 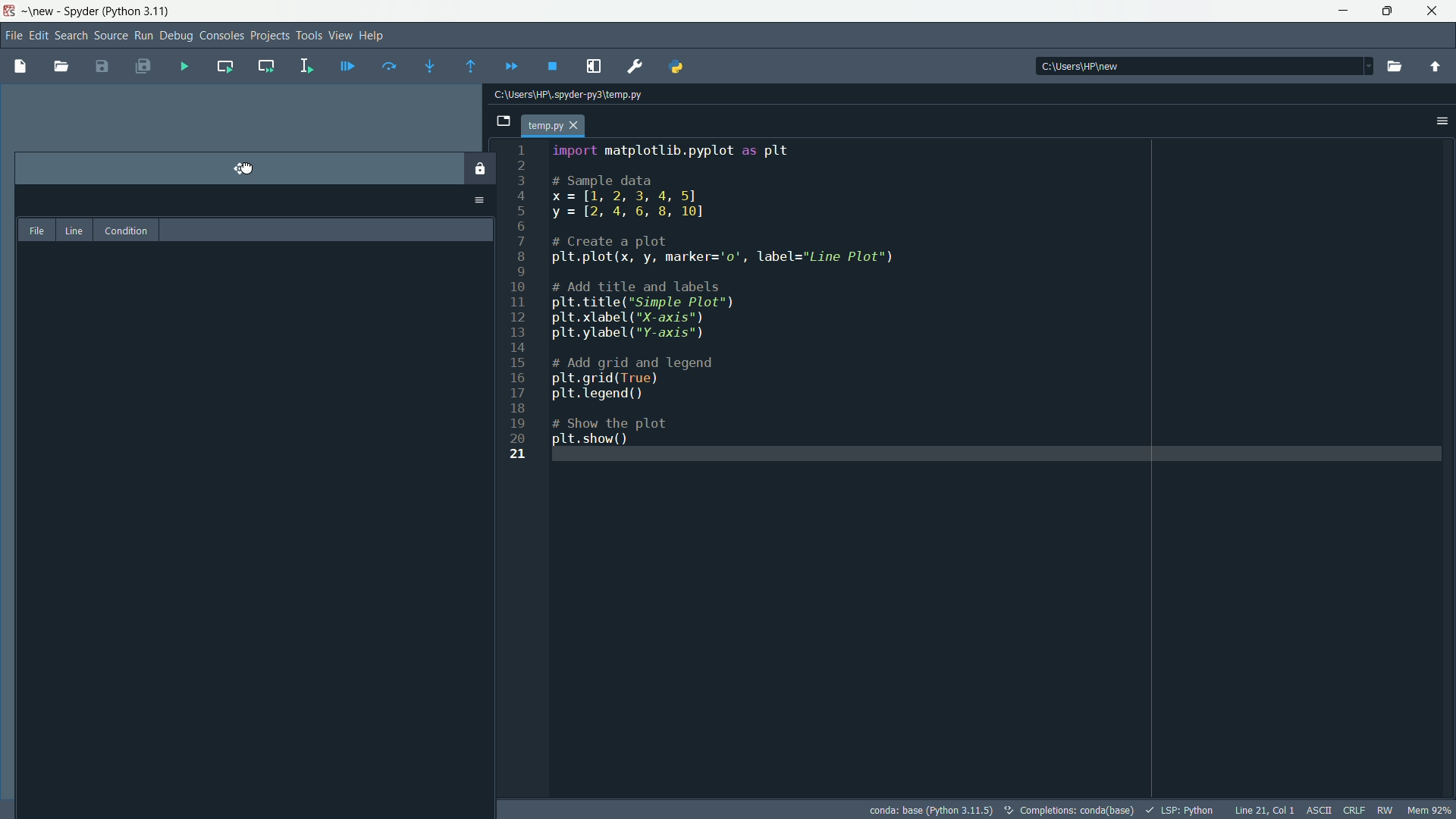 What do you see at coordinates (146, 68) in the screenshot?
I see `save all files` at bounding box center [146, 68].